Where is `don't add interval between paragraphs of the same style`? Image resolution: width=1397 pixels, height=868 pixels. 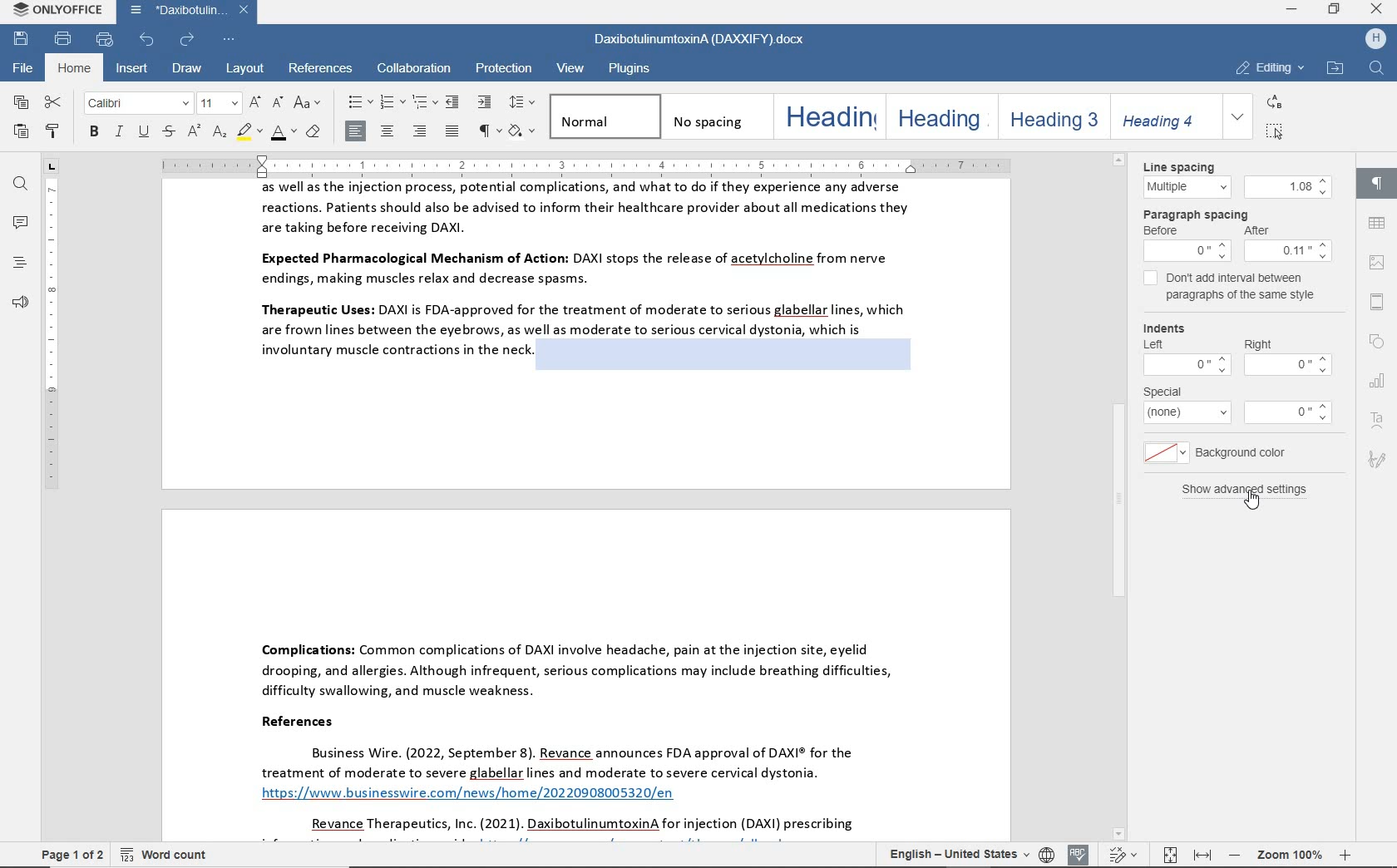
don't add interval between paragraphs of the same style is located at coordinates (1232, 289).